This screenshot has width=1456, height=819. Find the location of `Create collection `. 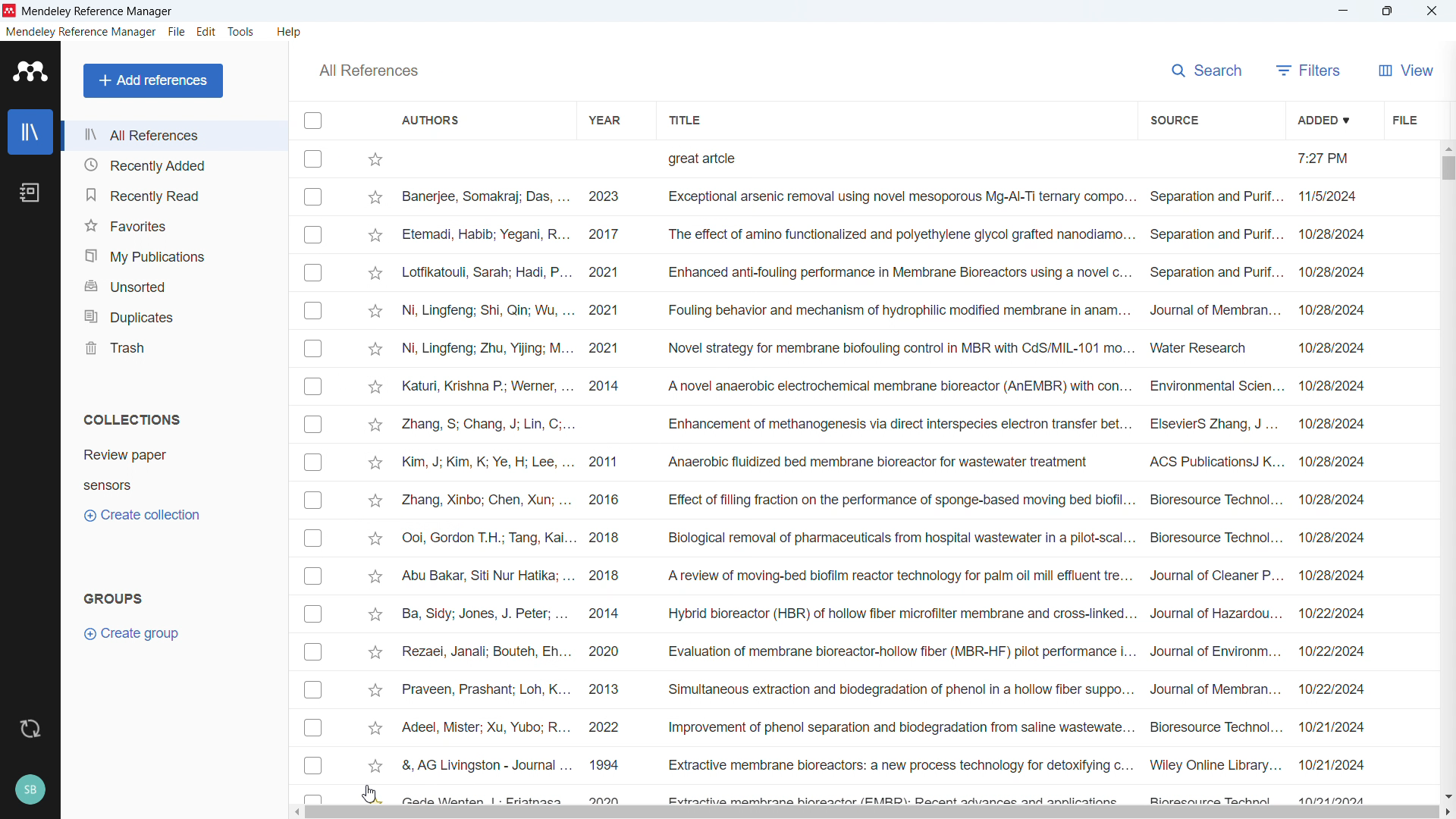

Create collection  is located at coordinates (144, 516).